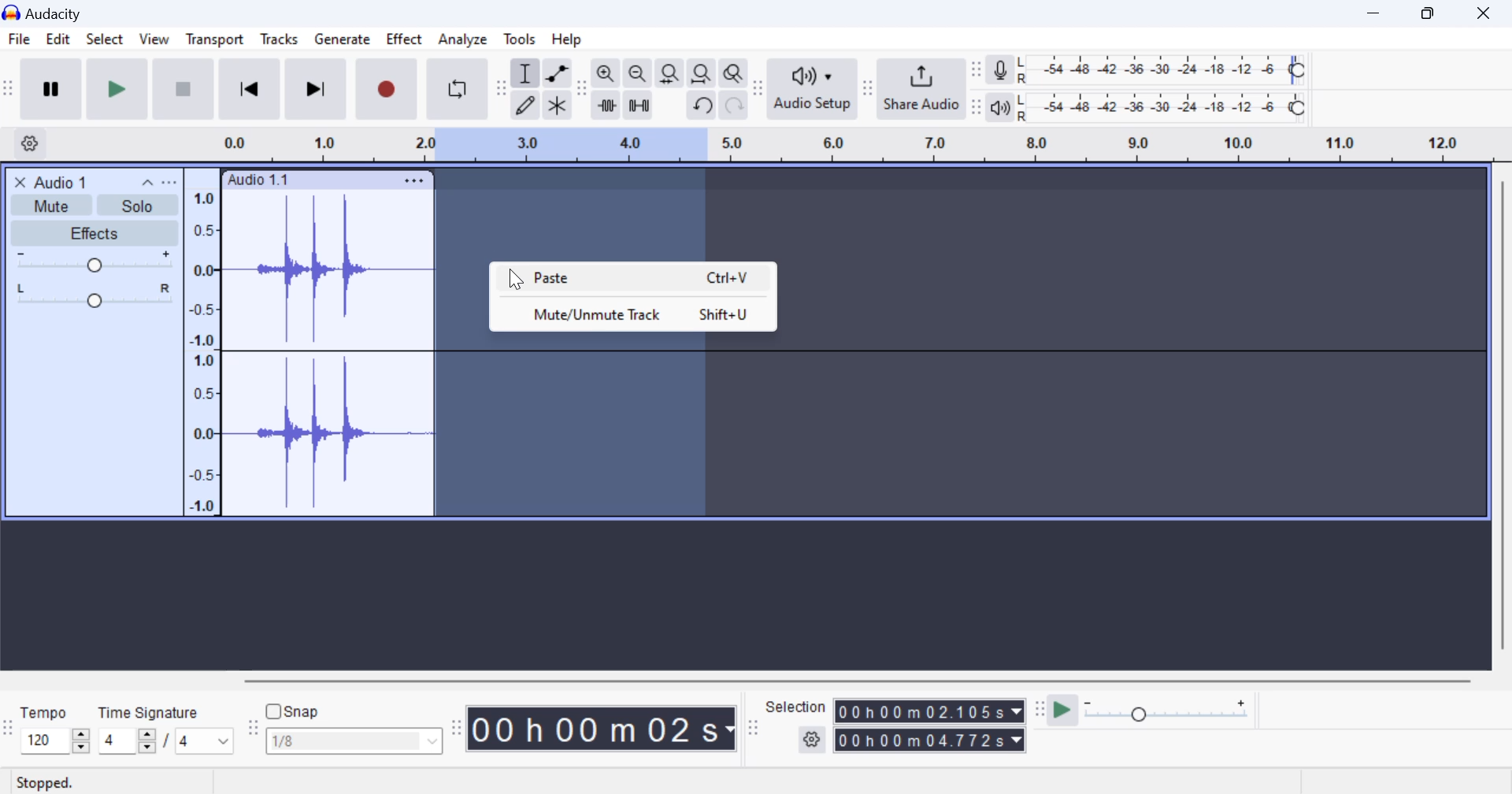  Describe the element at coordinates (18, 39) in the screenshot. I see `File` at that location.